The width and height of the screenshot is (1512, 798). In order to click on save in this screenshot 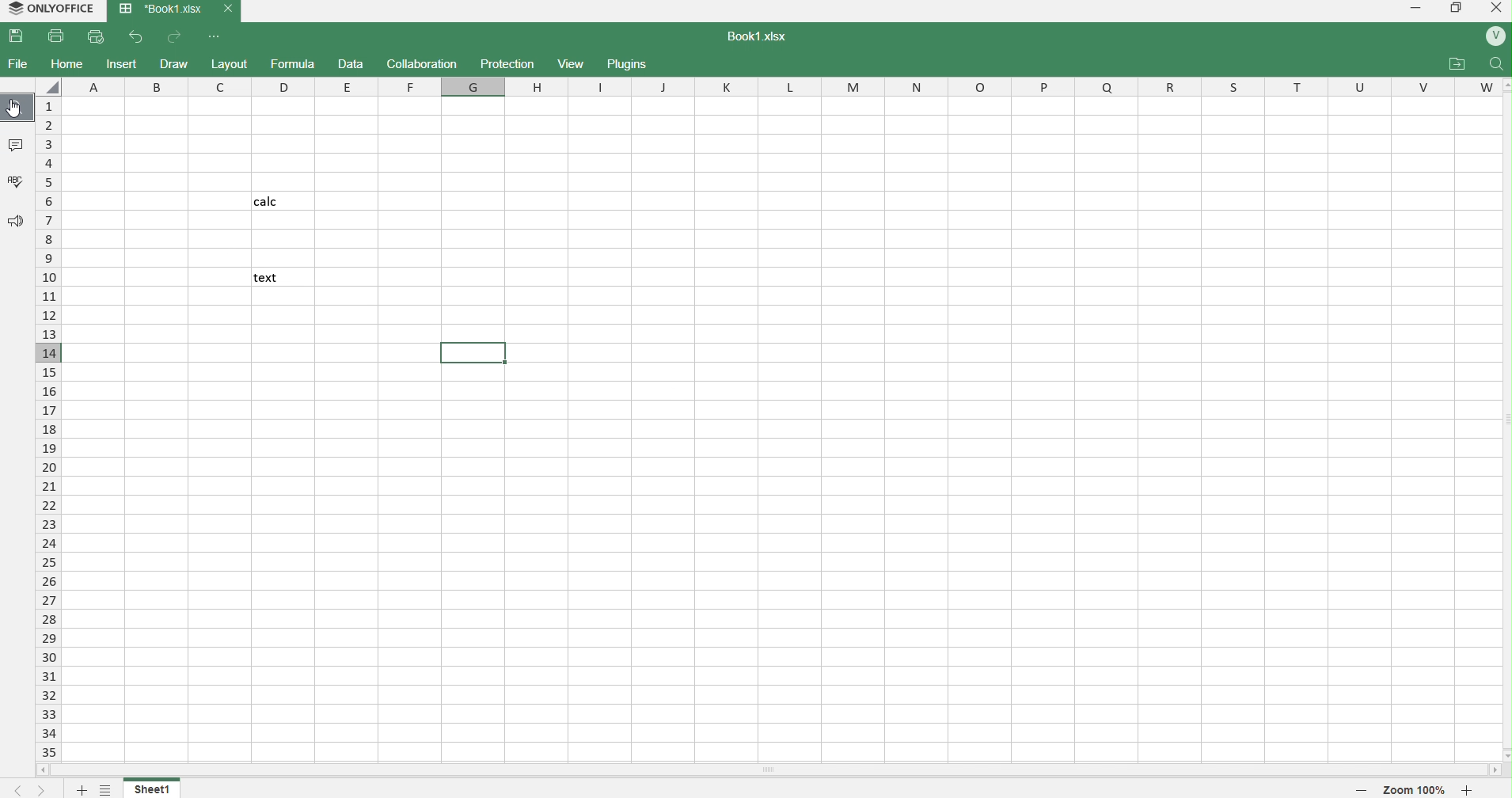, I will do `click(21, 37)`.